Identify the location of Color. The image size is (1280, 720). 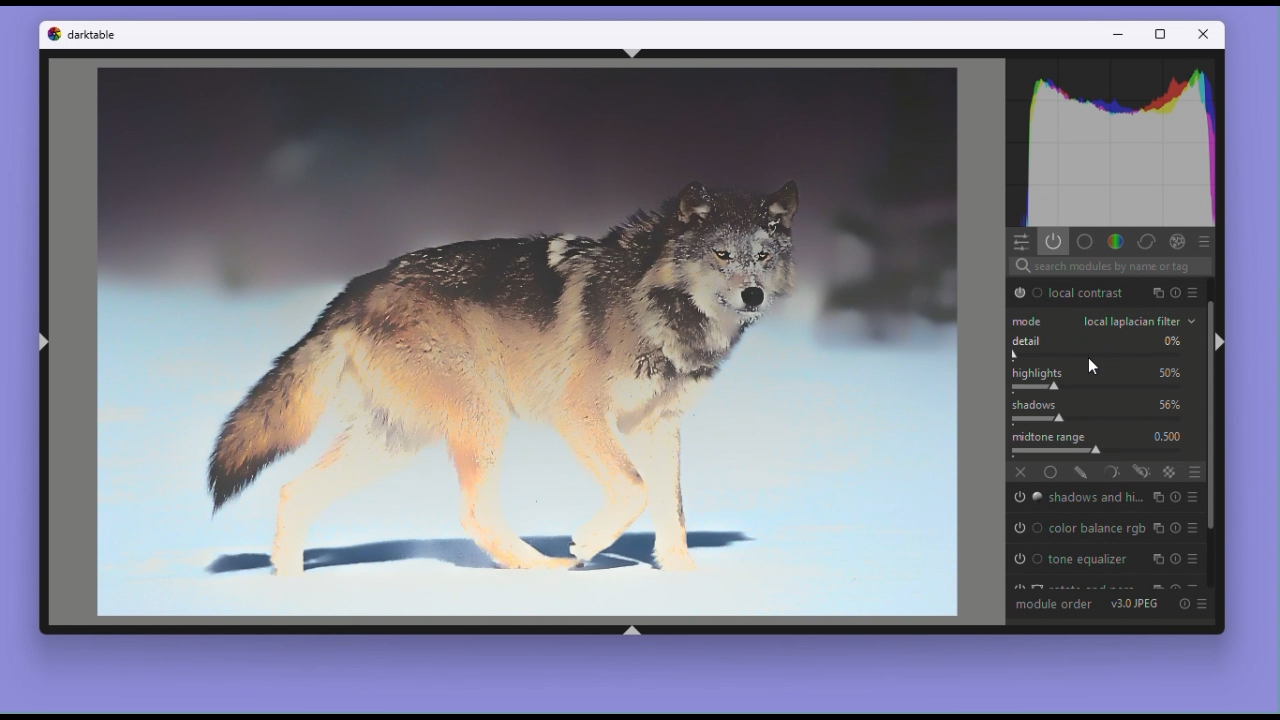
(1115, 241).